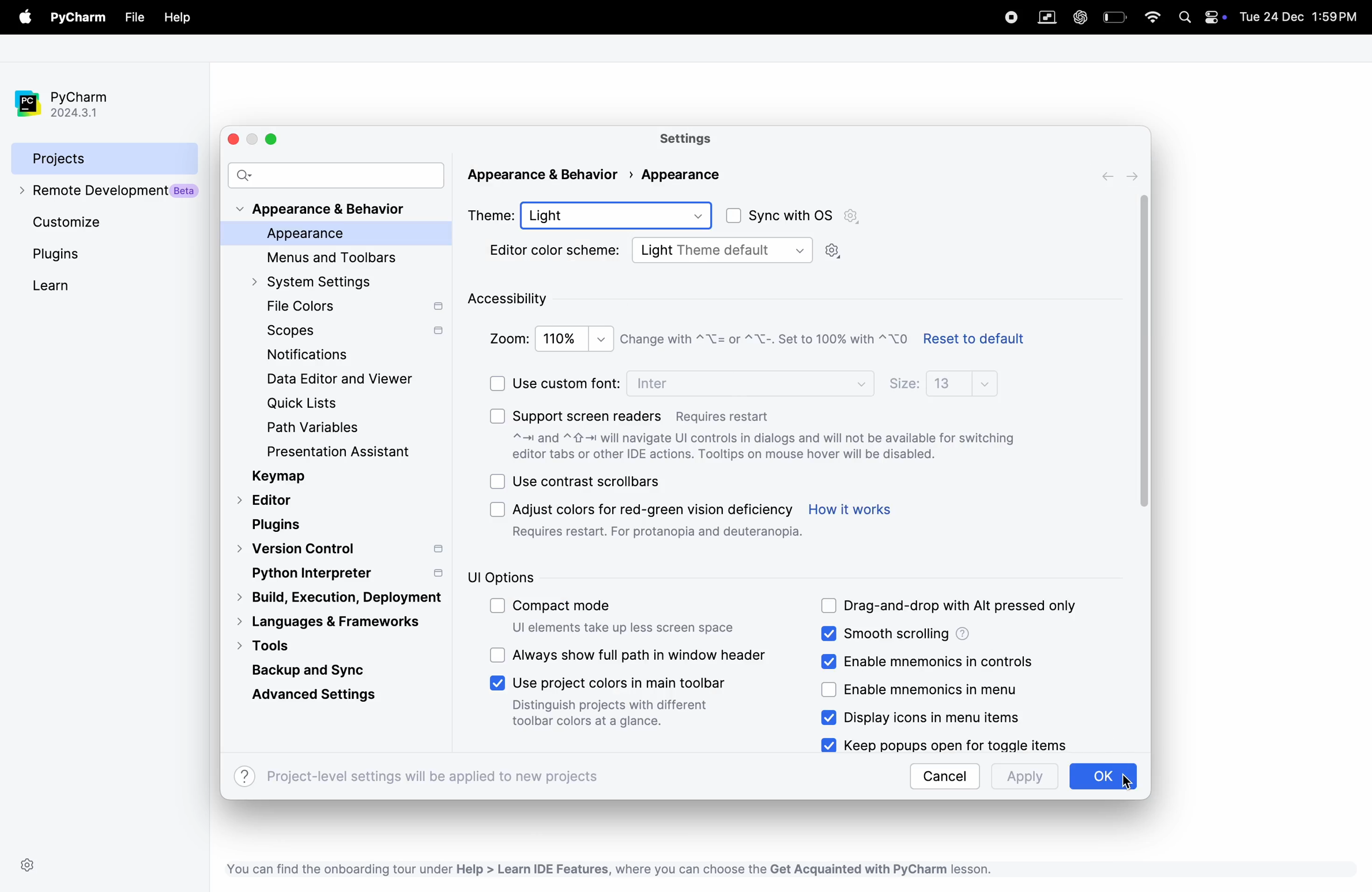 The height and width of the screenshot is (892, 1372). What do you see at coordinates (764, 343) in the screenshot?
I see `Change with ~\_= or ~X-. Set to 100% with ~\_0` at bounding box center [764, 343].